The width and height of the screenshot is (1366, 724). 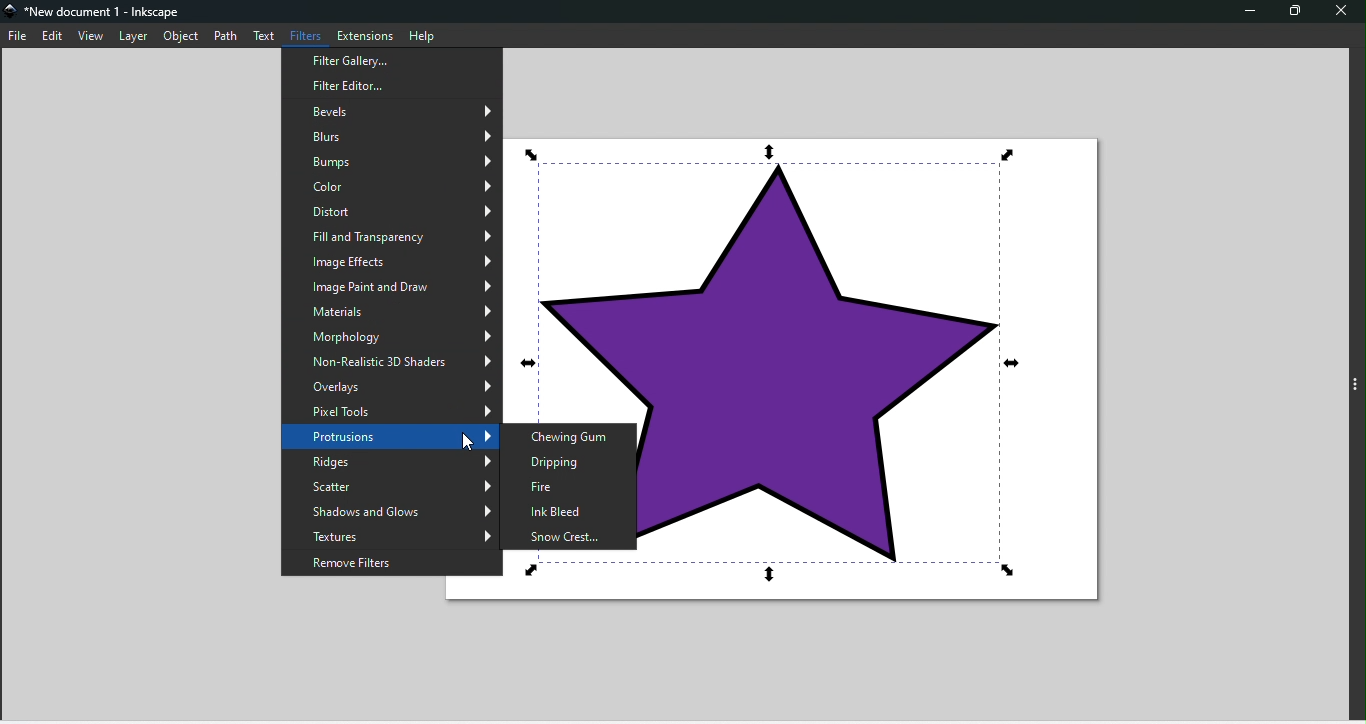 I want to click on View, so click(x=93, y=37).